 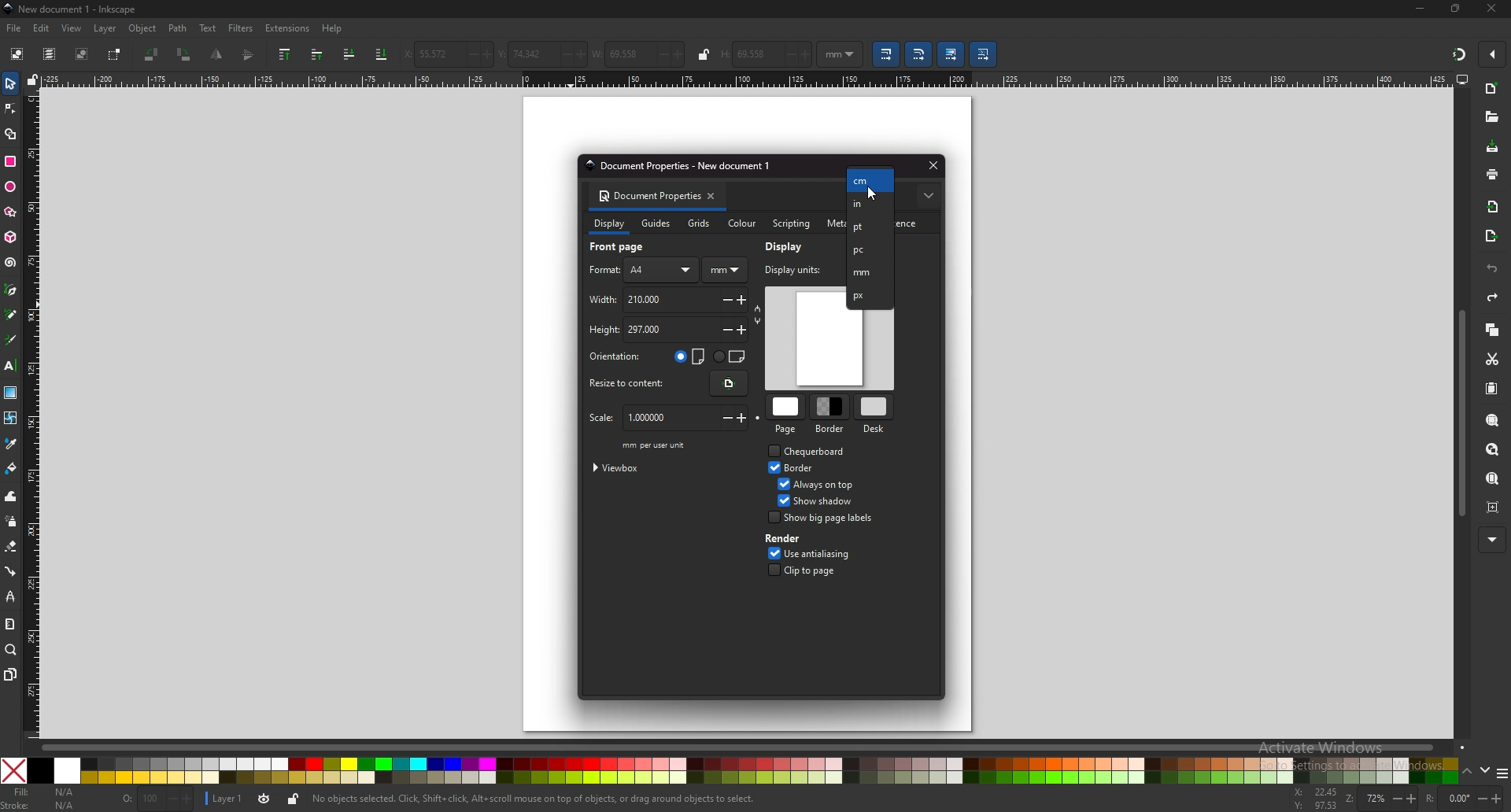 What do you see at coordinates (43, 793) in the screenshot?
I see `fill` at bounding box center [43, 793].